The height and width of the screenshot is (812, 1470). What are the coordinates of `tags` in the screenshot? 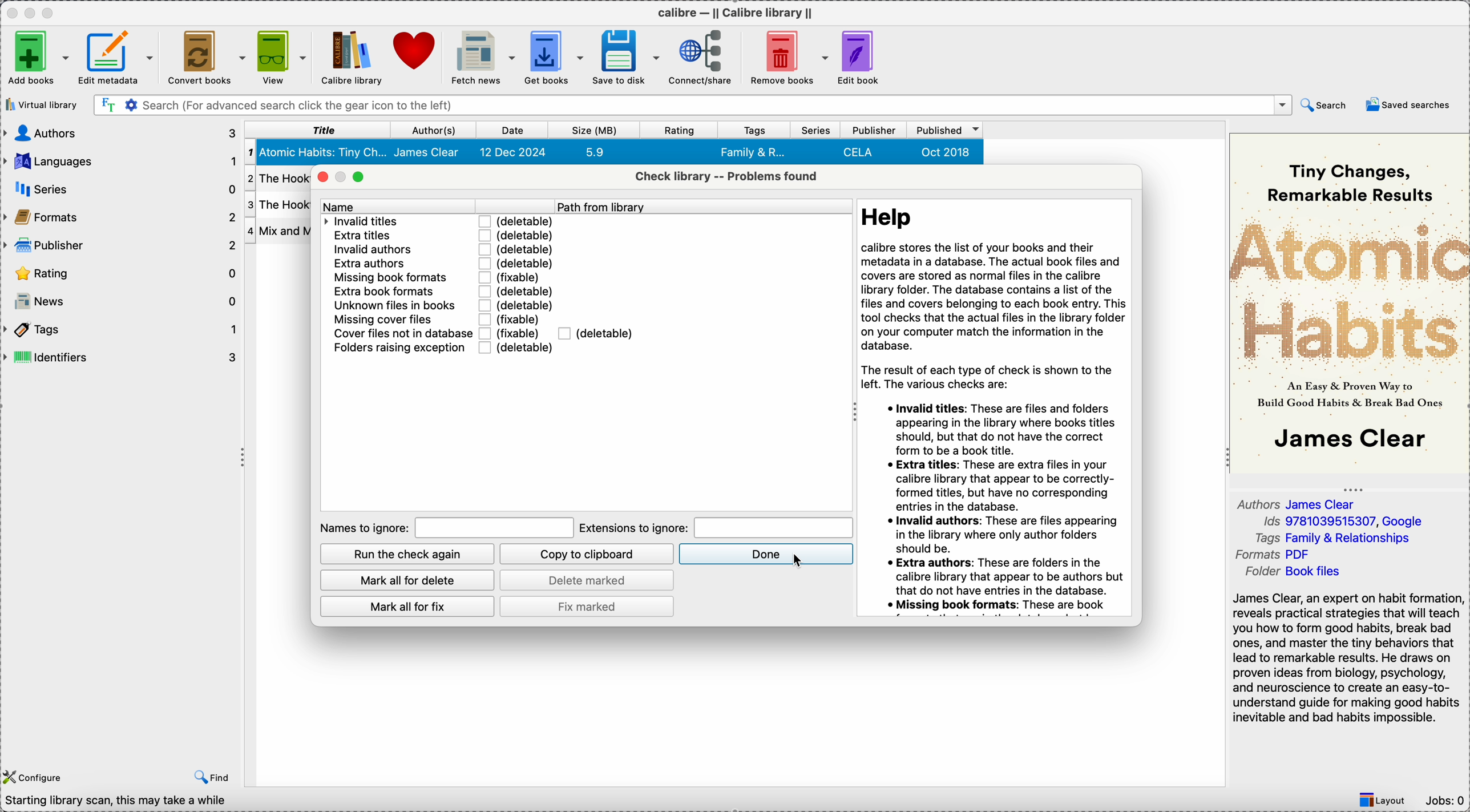 It's located at (1340, 538).